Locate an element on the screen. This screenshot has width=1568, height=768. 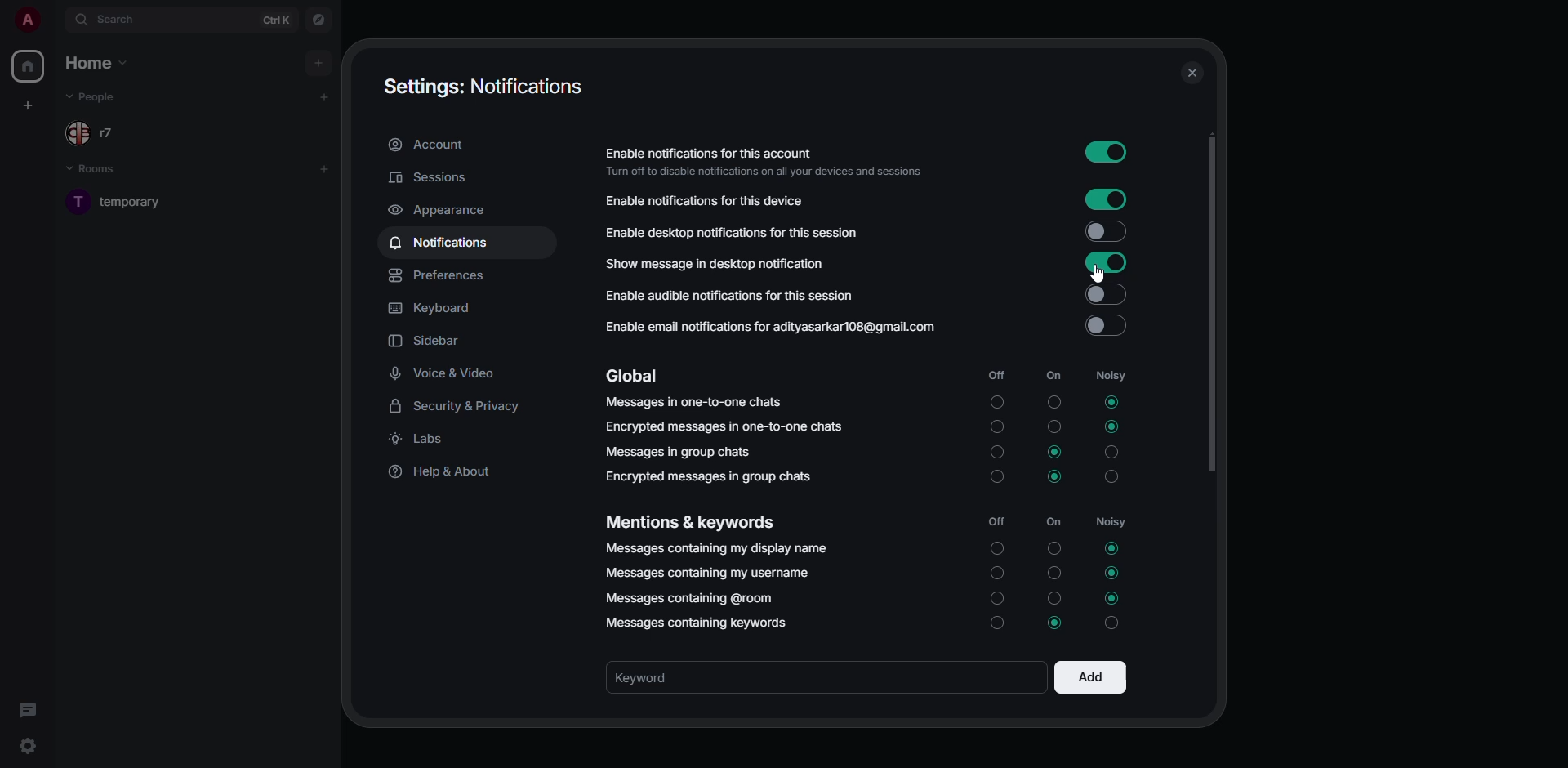
On Unselected is located at coordinates (1058, 572).